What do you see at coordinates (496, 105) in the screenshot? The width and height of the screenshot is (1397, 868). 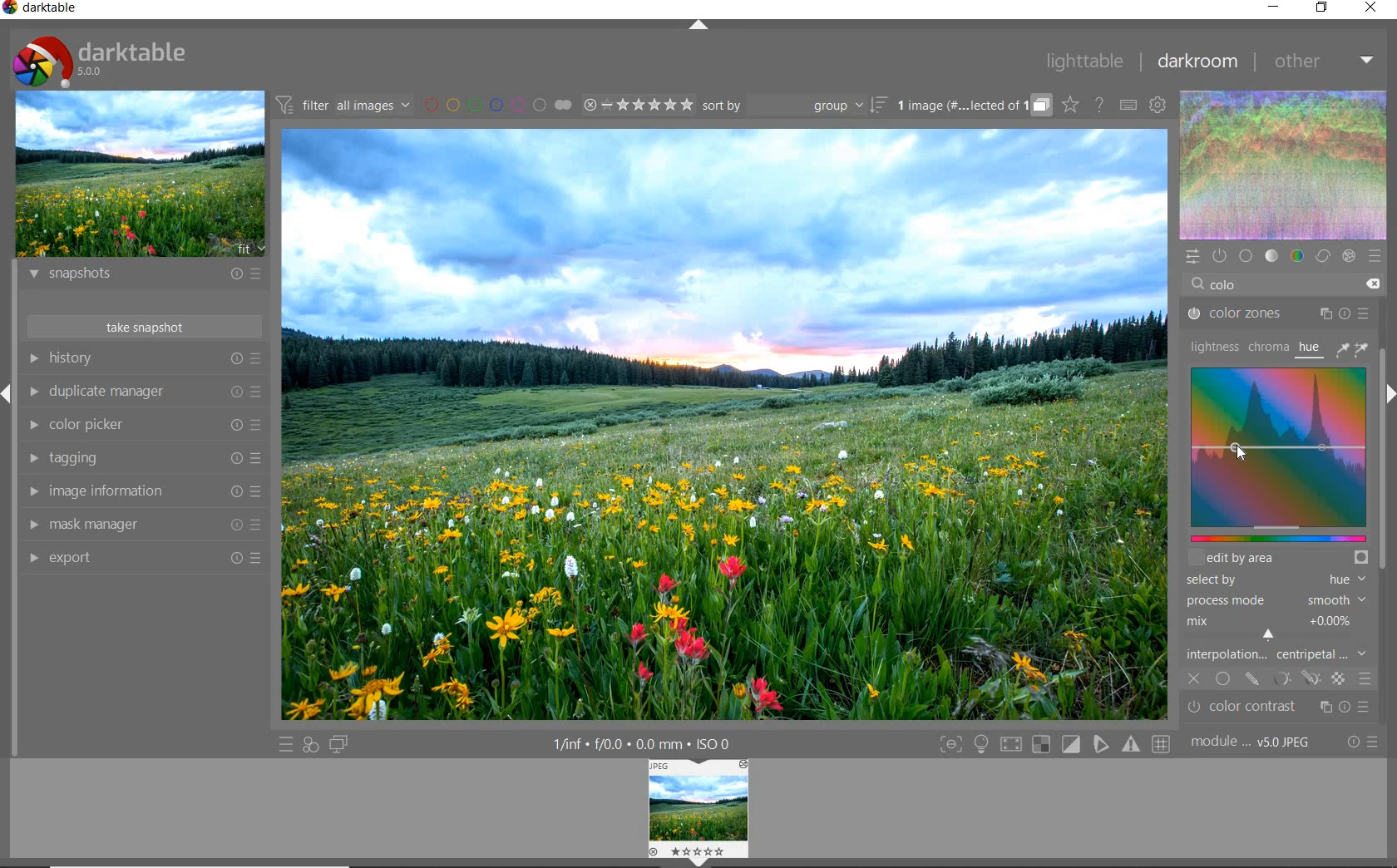 I see `filter images by color labels` at bounding box center [496, 105].